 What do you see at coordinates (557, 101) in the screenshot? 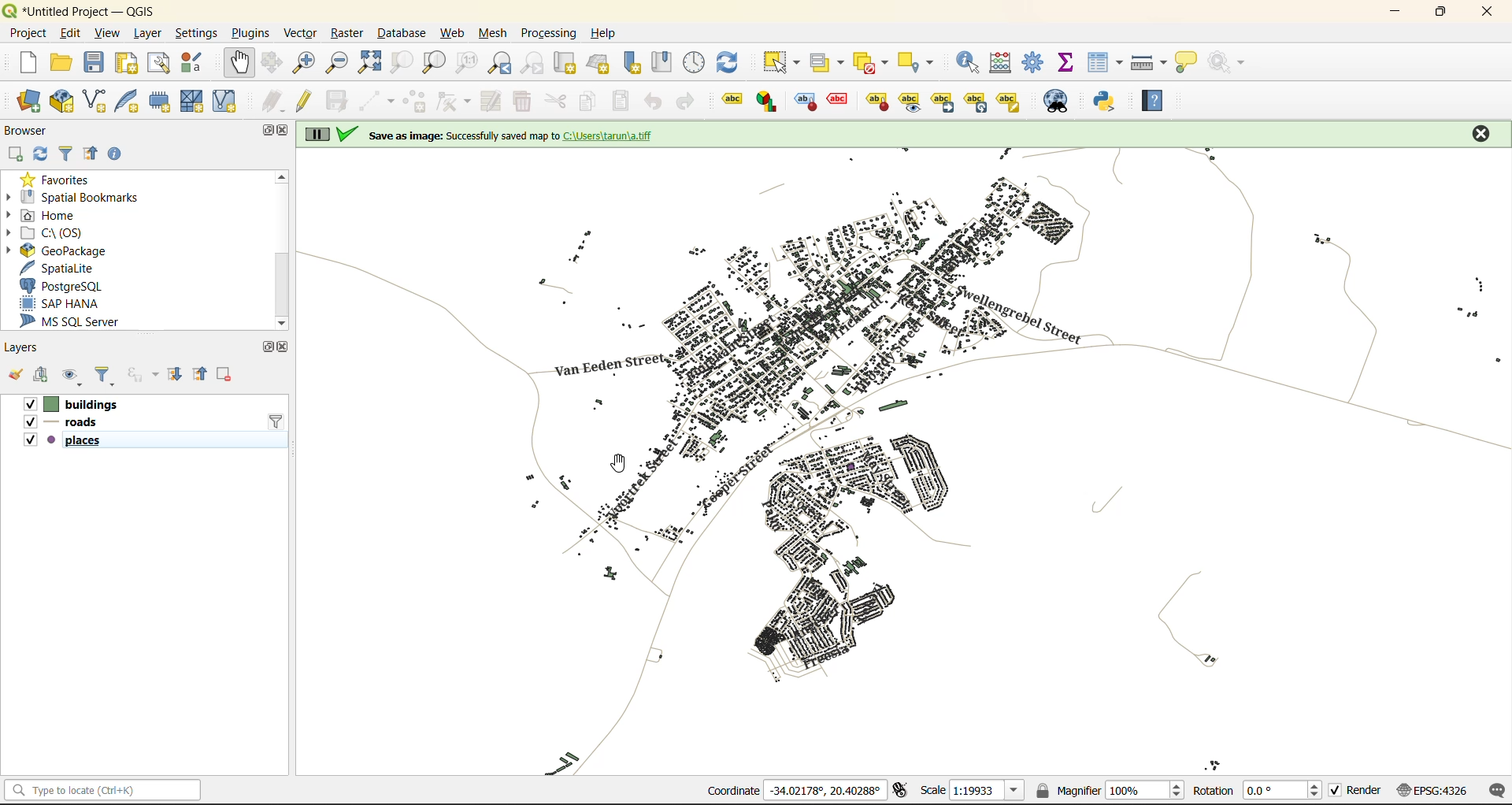
I see `cut` at bounding box center [557, 101].